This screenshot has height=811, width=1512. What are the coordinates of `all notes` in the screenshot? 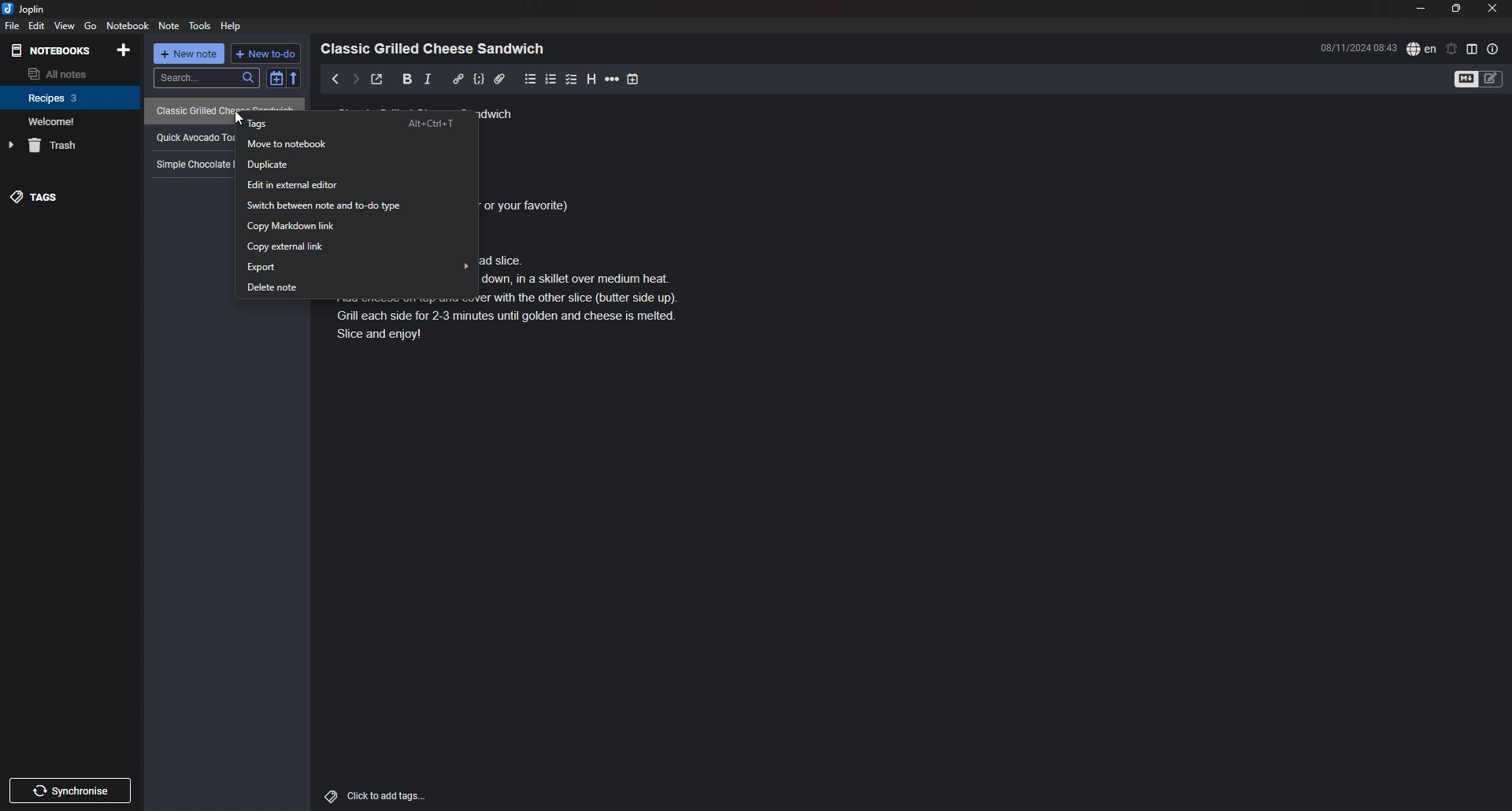 It's located at (68, 73).